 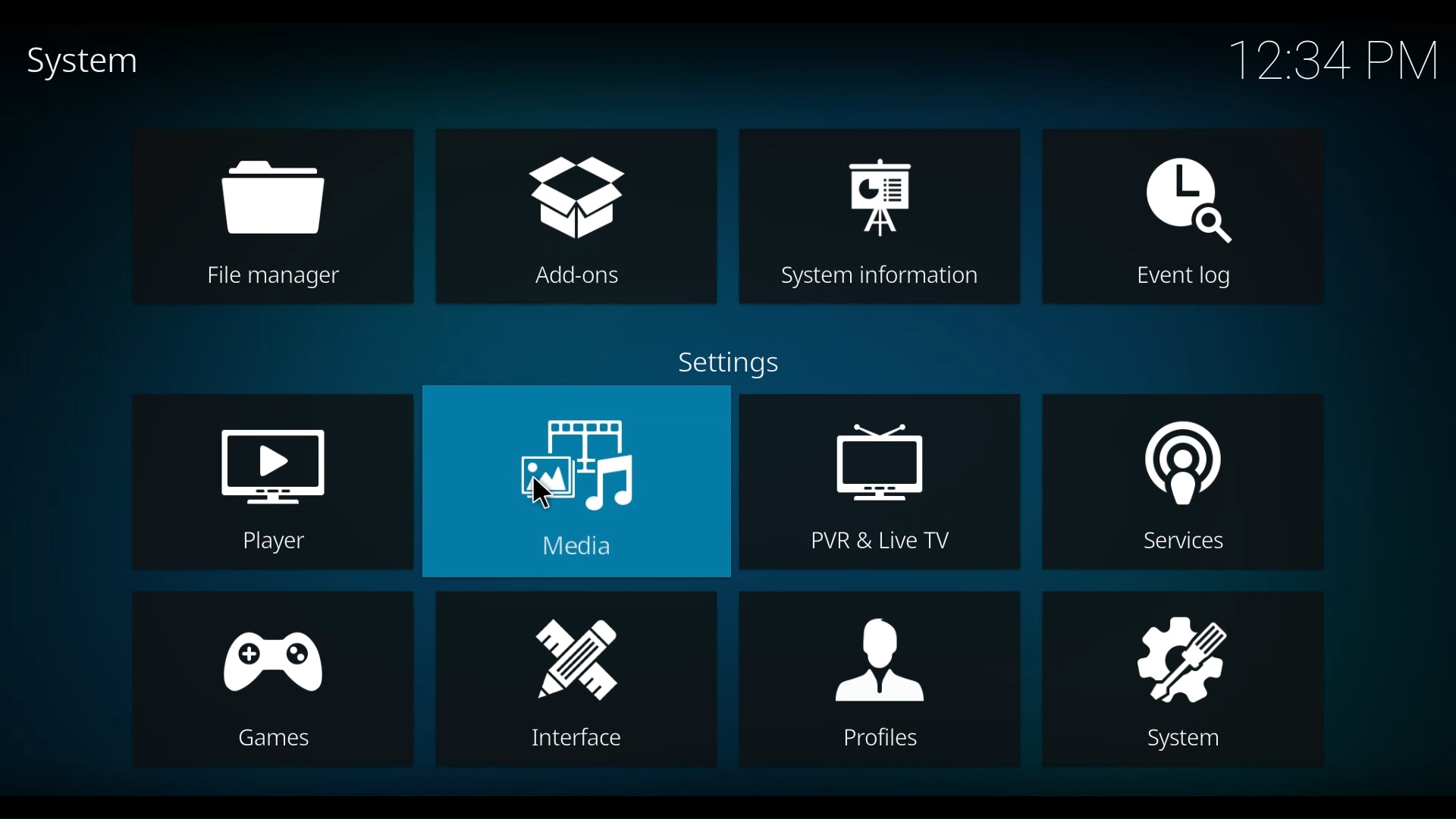 I want to click on System information, so click(x=881, y=218).